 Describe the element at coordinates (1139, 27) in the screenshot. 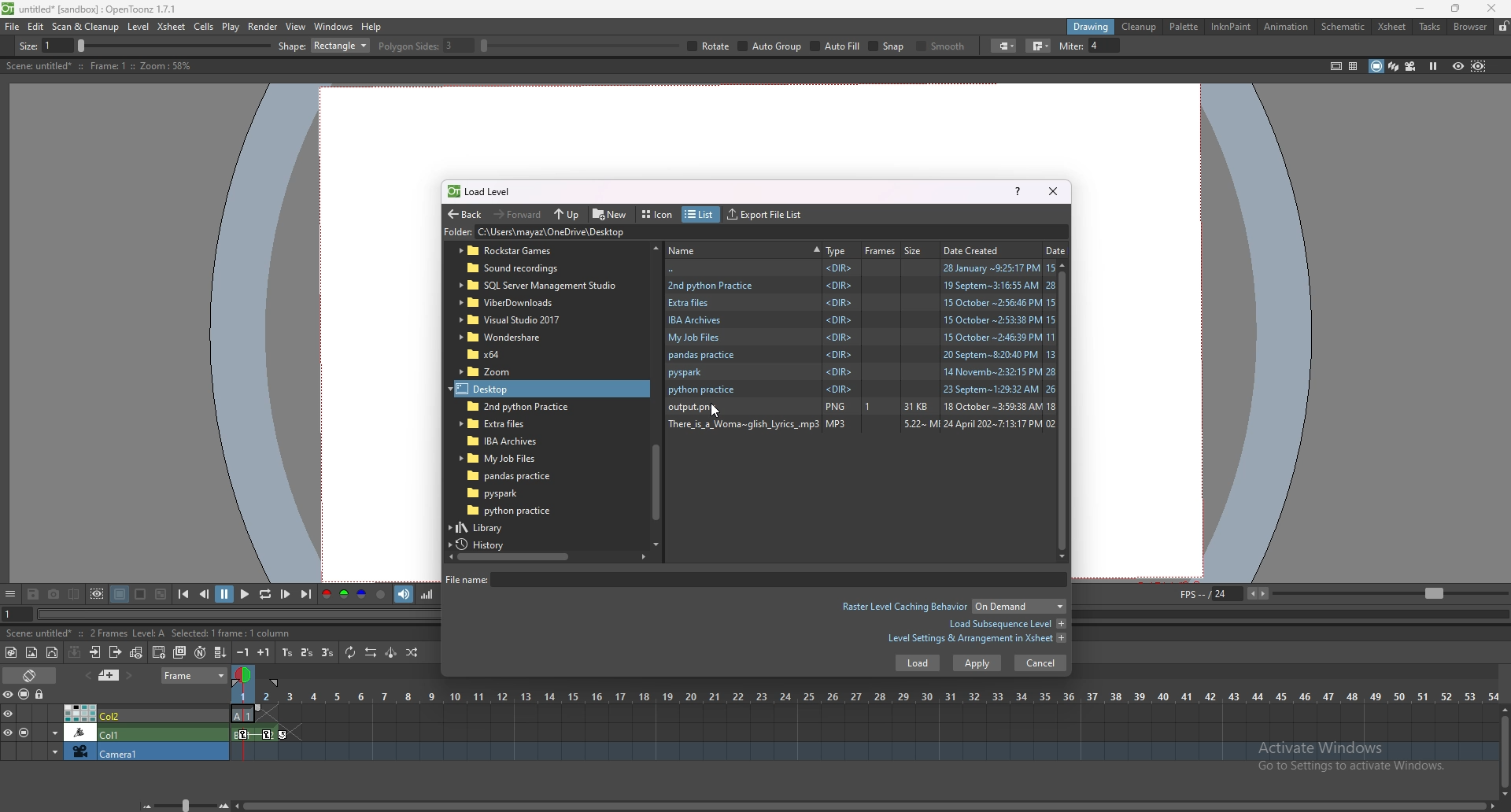

I see `cleanup` at that location.